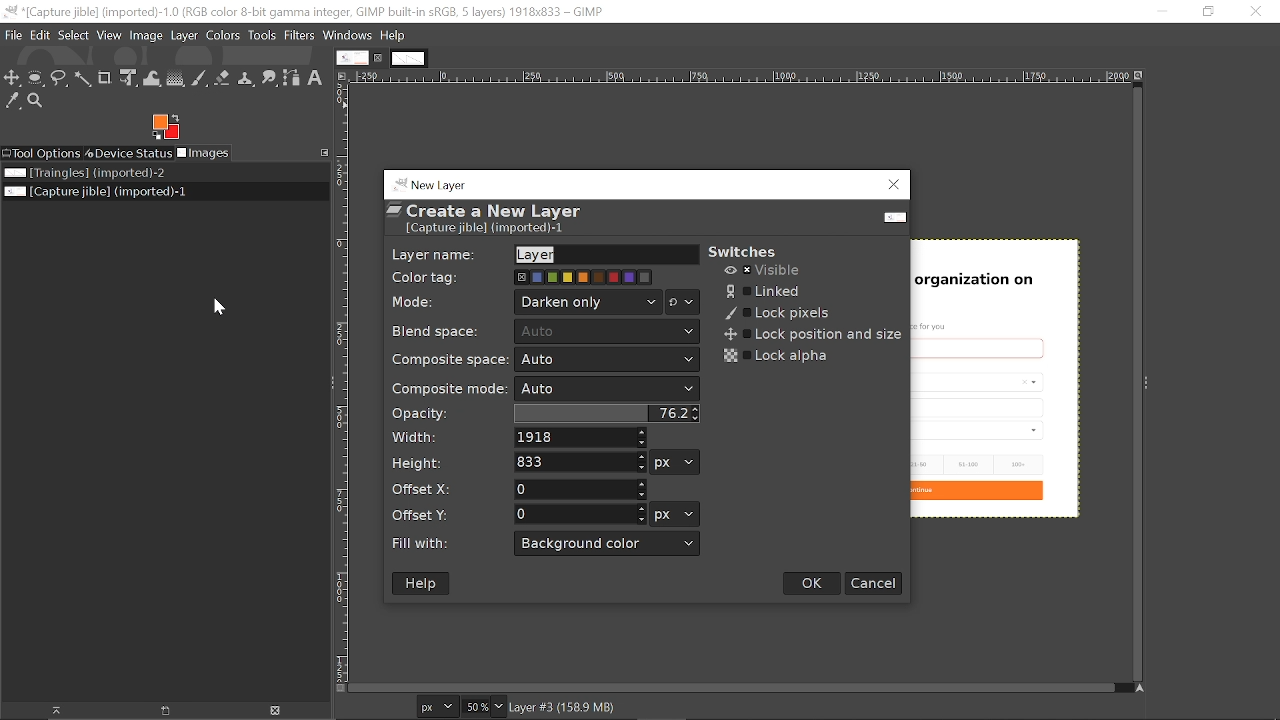 This screenshot has height=720, width=1280. Describe the element at coordinates (224, 78) in the screenshot. I see `Eraser tool` at that location.